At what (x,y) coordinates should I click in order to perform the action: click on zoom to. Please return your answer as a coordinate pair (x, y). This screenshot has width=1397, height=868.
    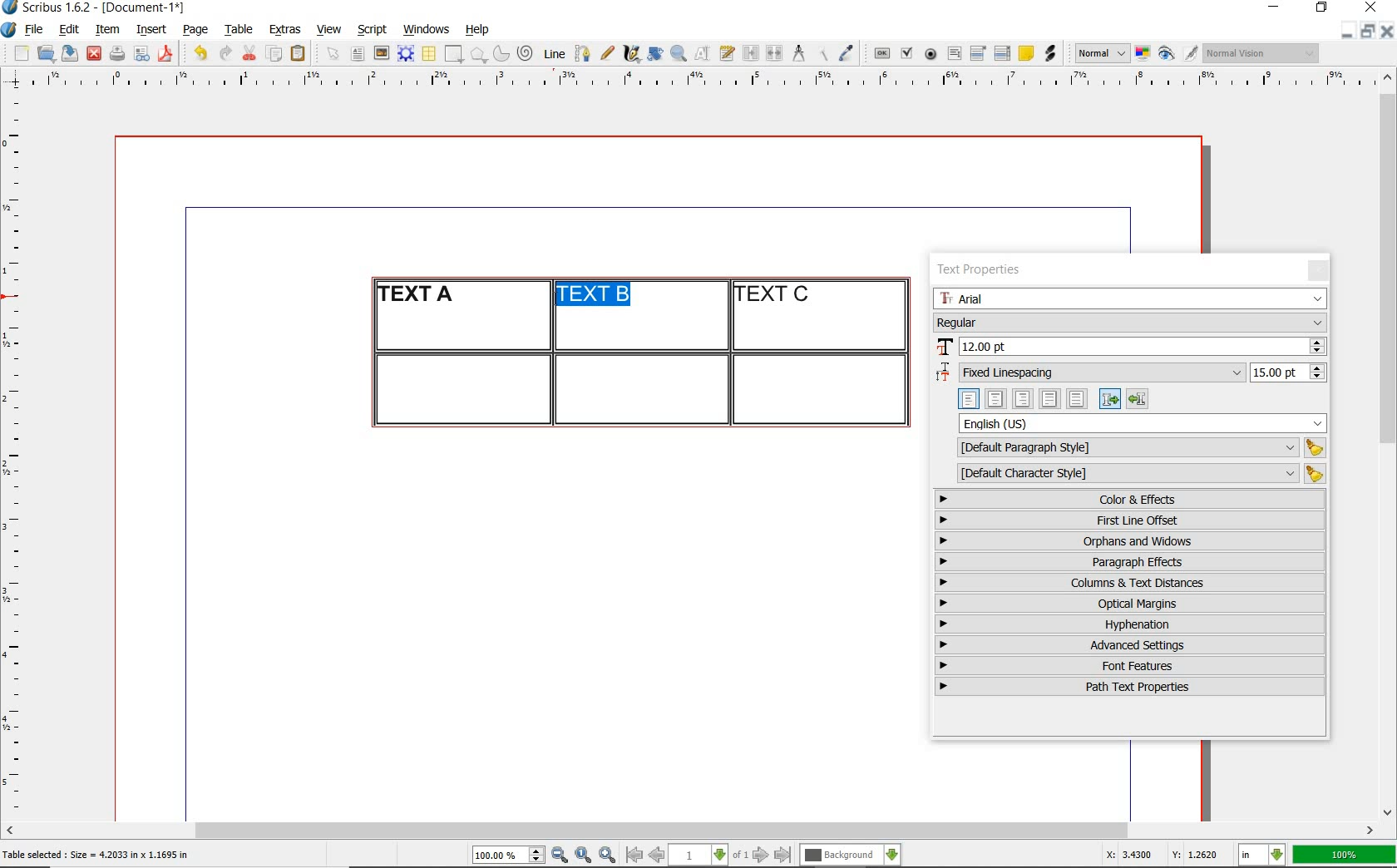
    Looking at the image, I should click on (584, 856).